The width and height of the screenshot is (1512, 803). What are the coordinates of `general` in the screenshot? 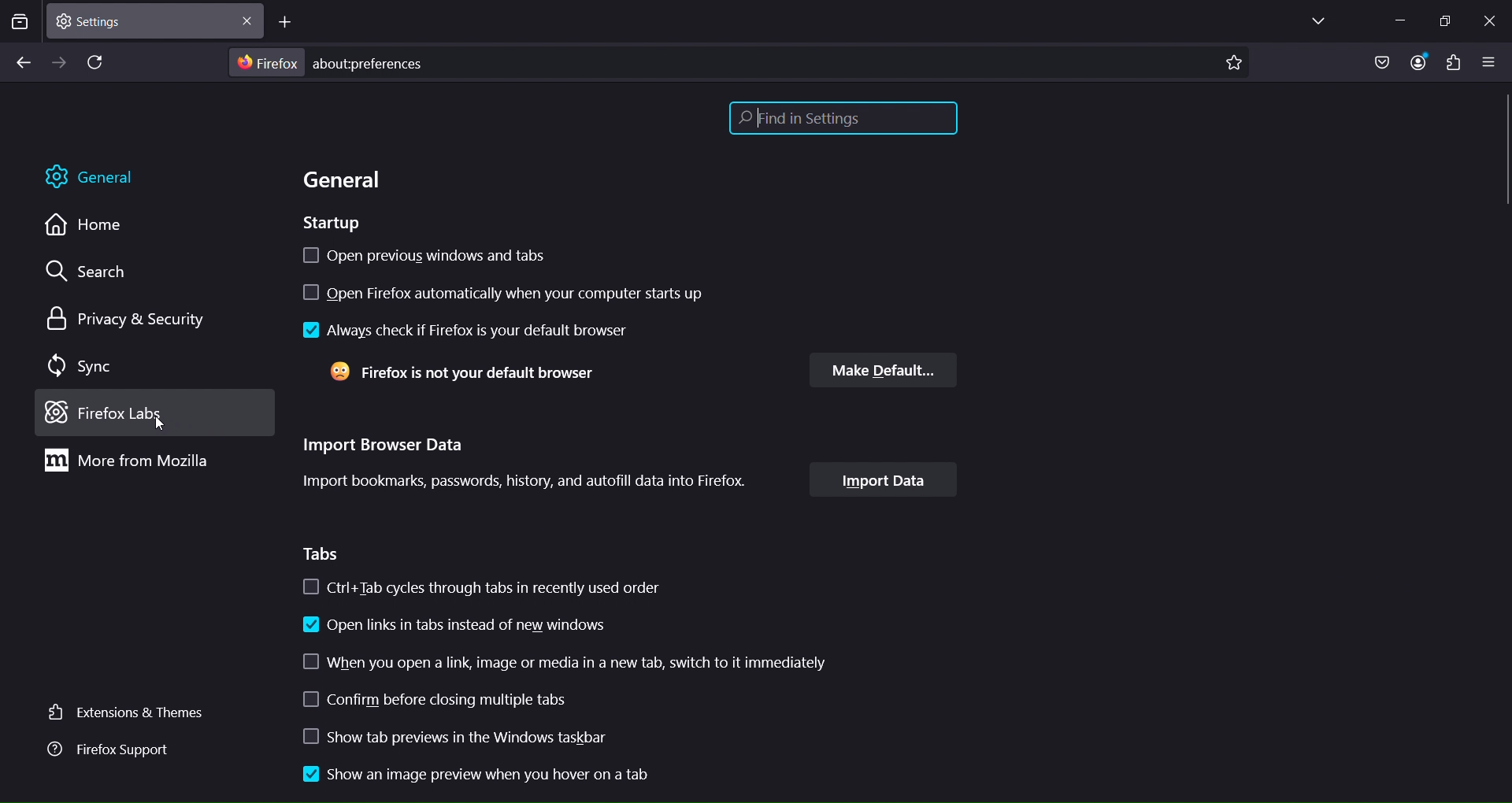 It's located at (347, 180).